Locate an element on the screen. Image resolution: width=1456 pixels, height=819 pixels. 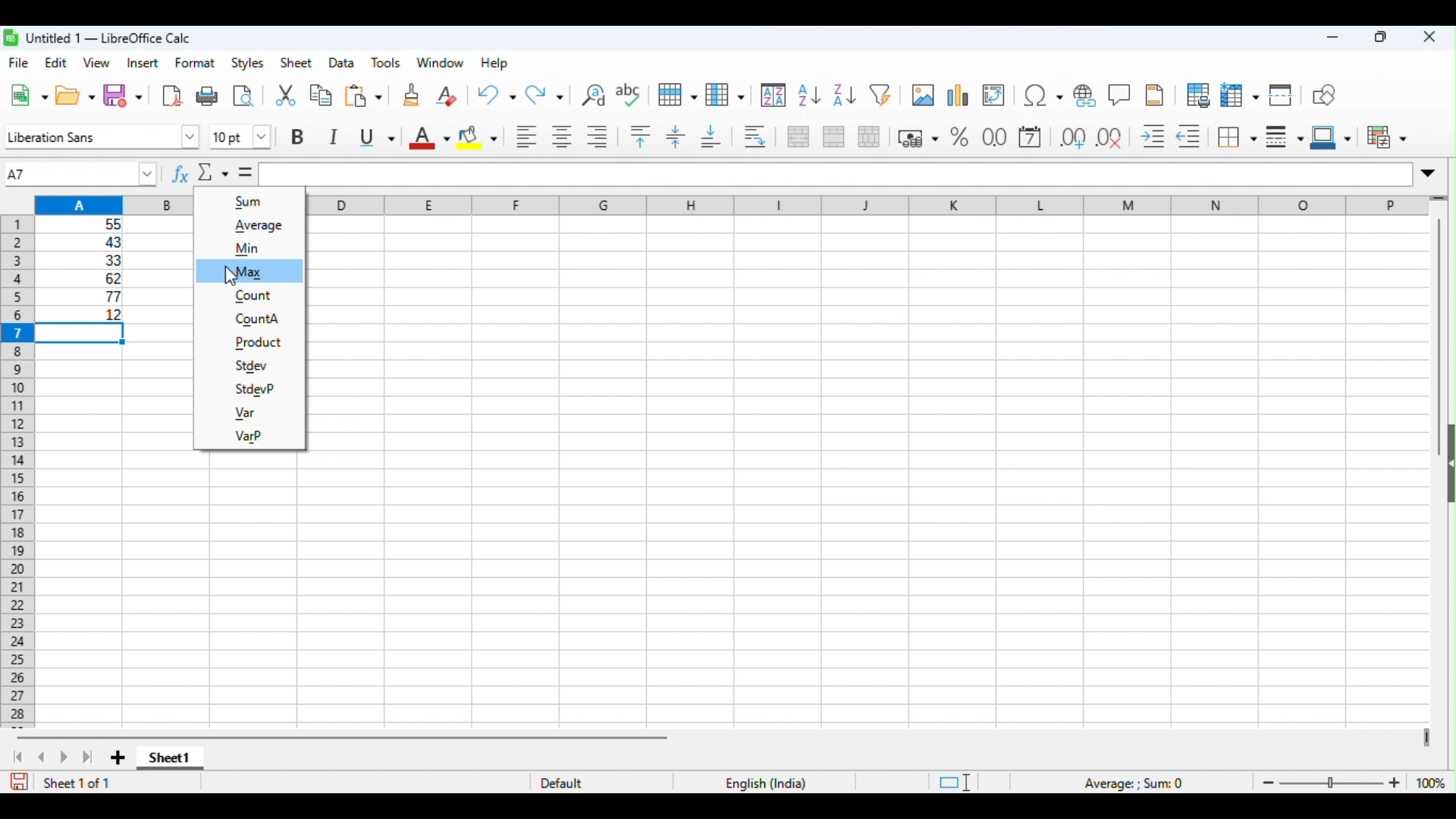
insert is located at coordinates (143, 63).